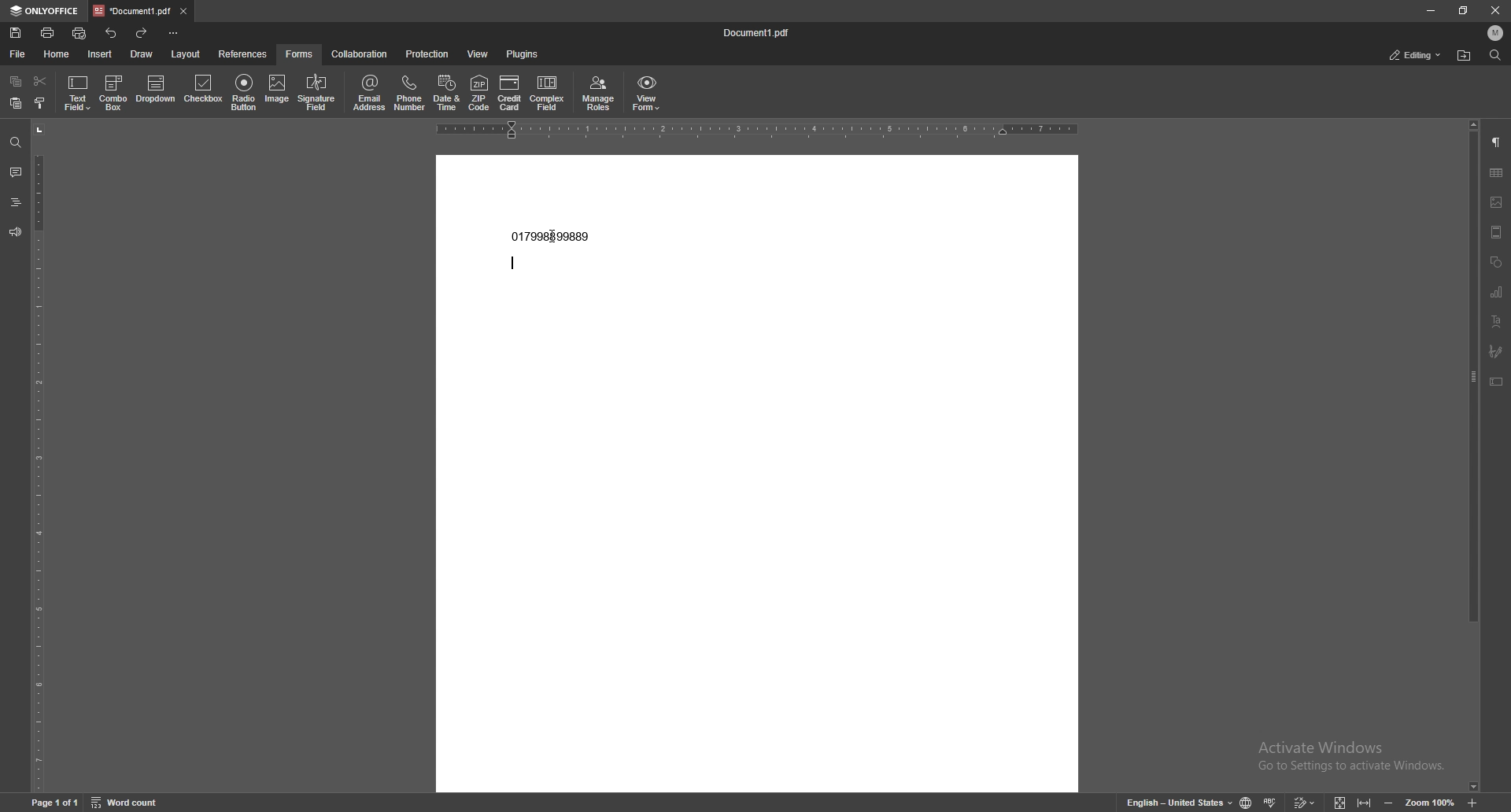 Image resolution: width=1511 pixels, height=812 pixels. Describe the element at coordinates (126, 803) in the screenshot. I see `word count` at that location.